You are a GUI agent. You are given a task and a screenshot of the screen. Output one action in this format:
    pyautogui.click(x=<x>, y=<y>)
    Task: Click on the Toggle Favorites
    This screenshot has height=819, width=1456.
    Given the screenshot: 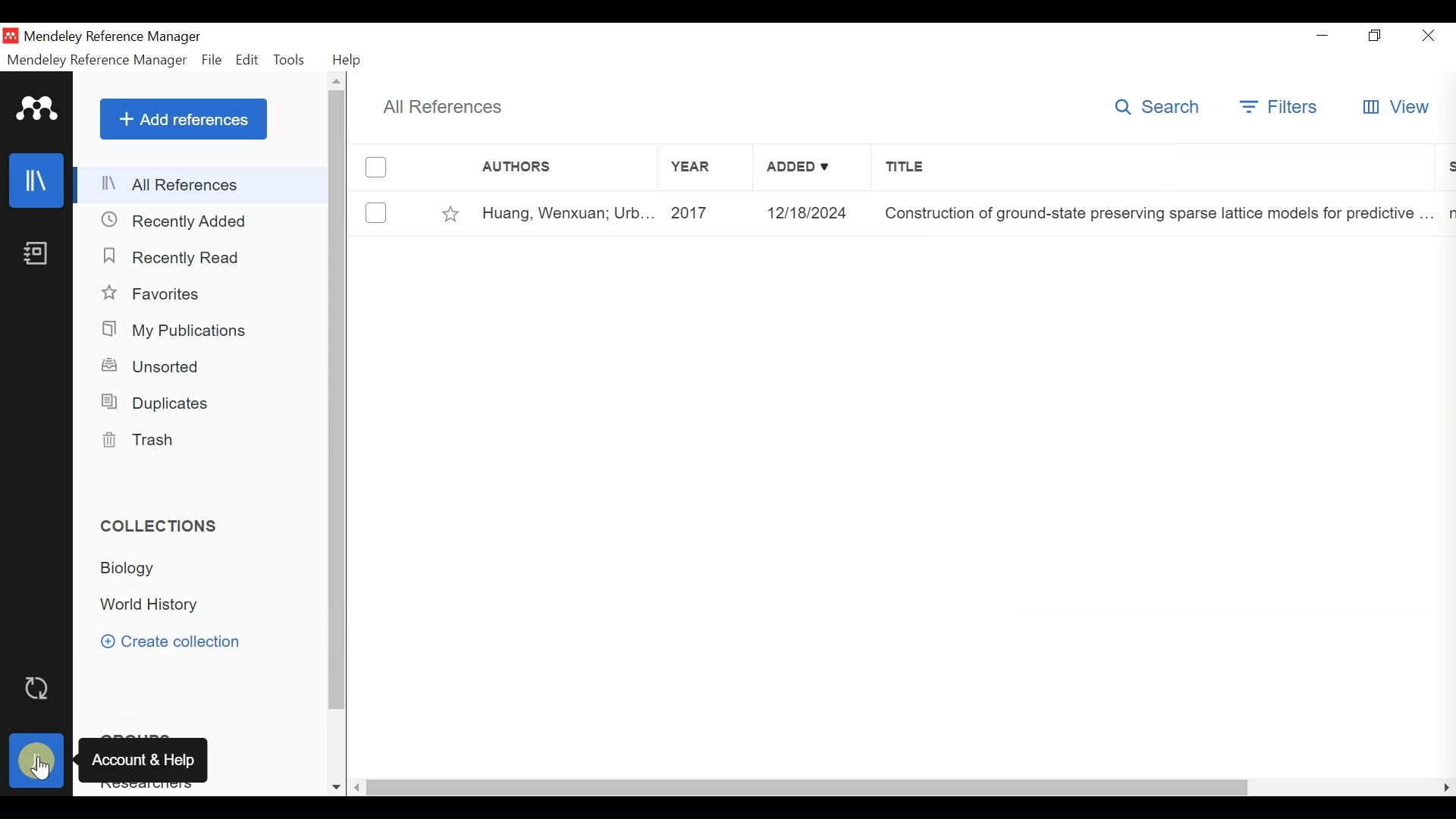 What is the action you would take?
    pyautogui.click(x=451, y=214)
    